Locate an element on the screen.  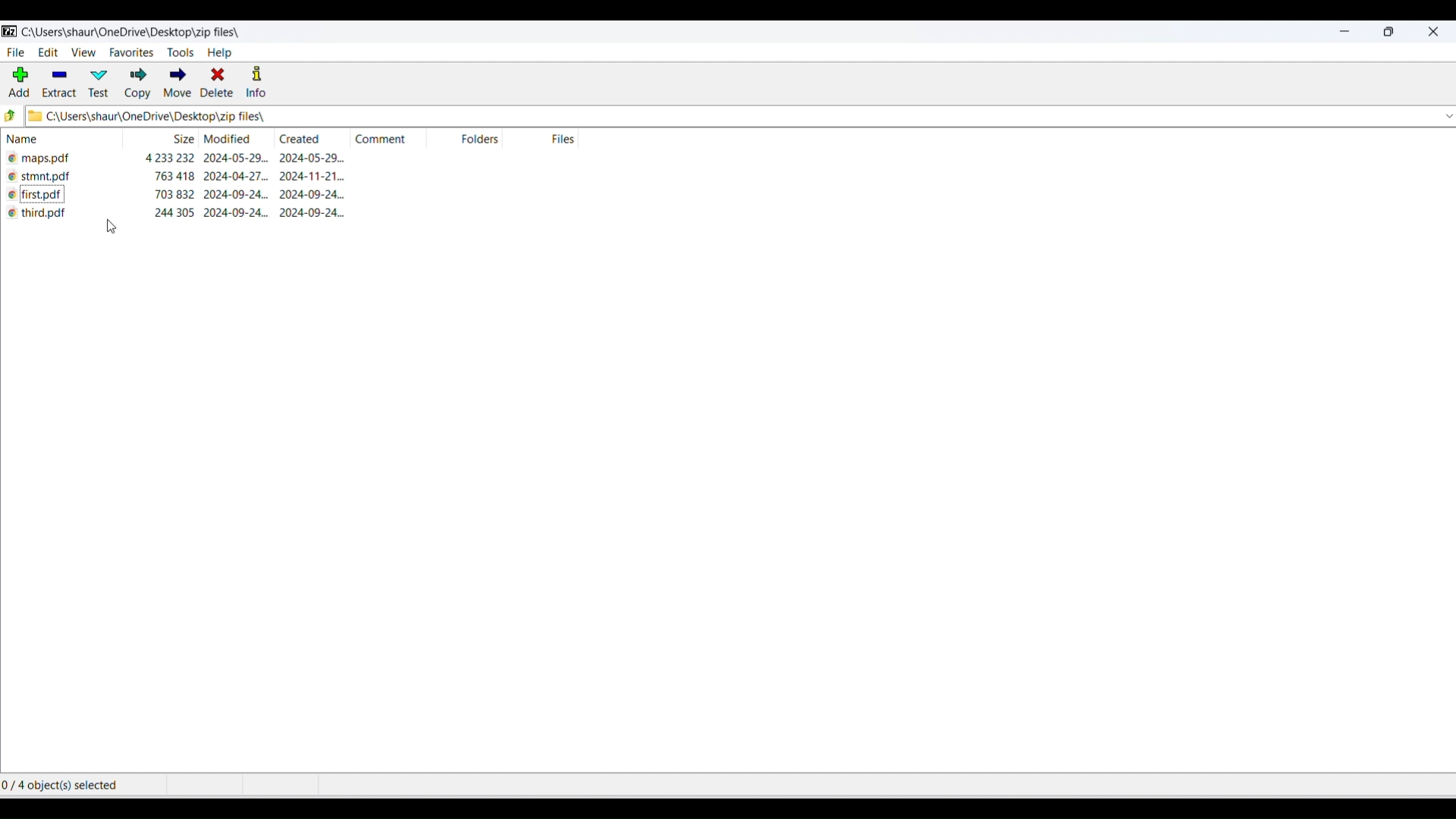
extract is located at coordinates (57, 83).